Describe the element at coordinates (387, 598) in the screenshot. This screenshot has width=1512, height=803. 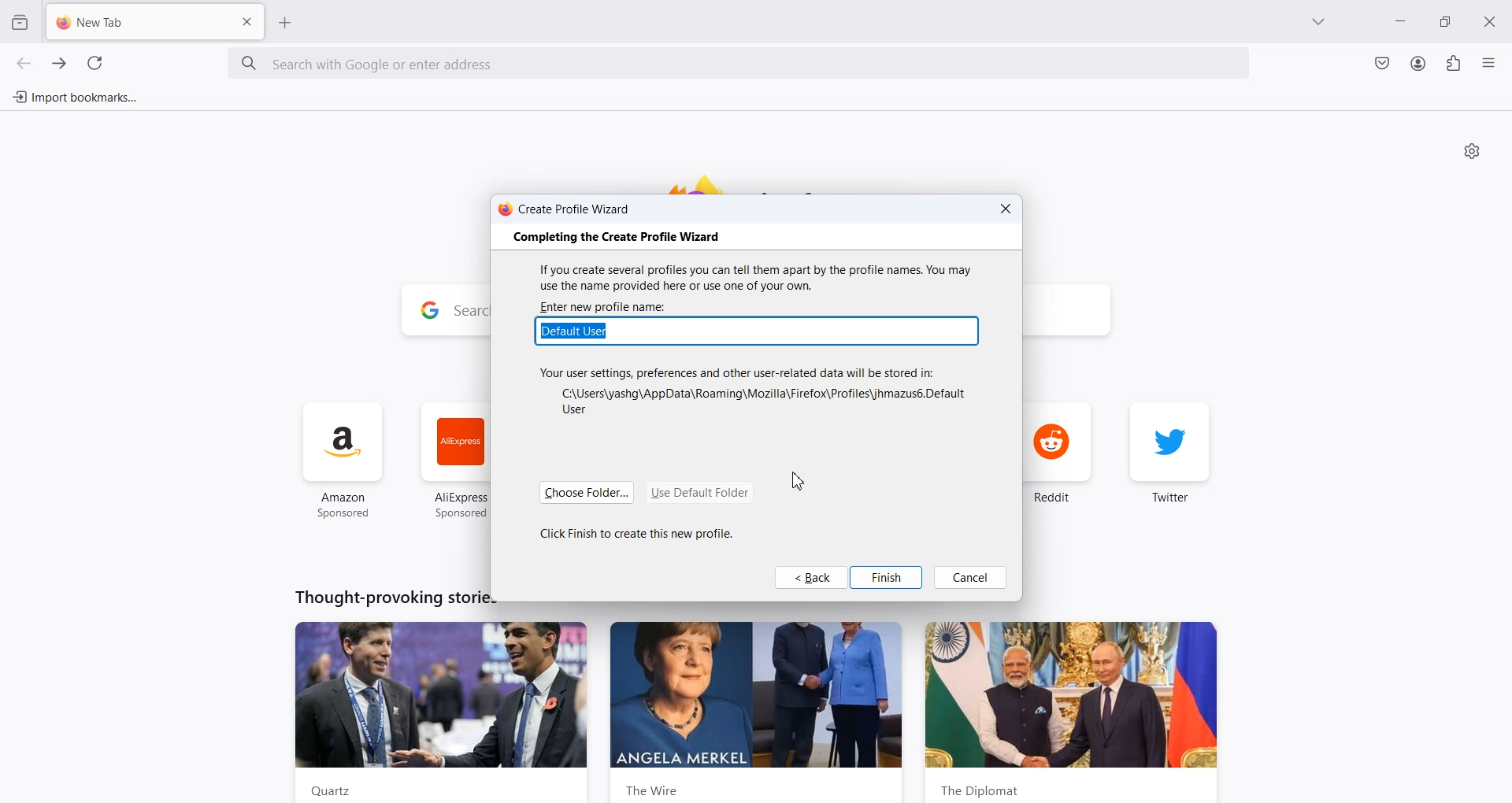
I see `Thought-provoking stories` at that location.